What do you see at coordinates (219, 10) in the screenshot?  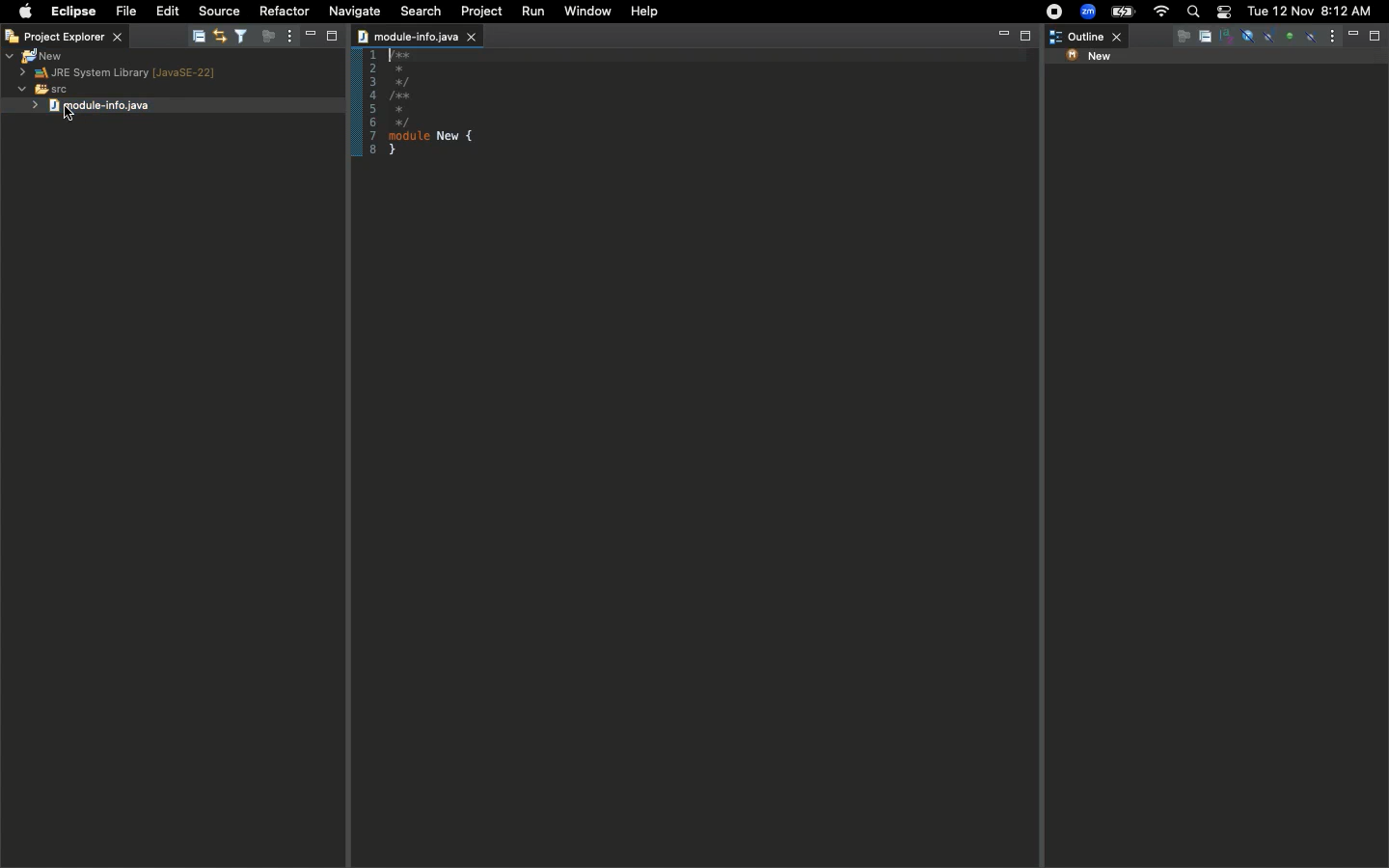 I see `Source` at bounding box center [219, 10].